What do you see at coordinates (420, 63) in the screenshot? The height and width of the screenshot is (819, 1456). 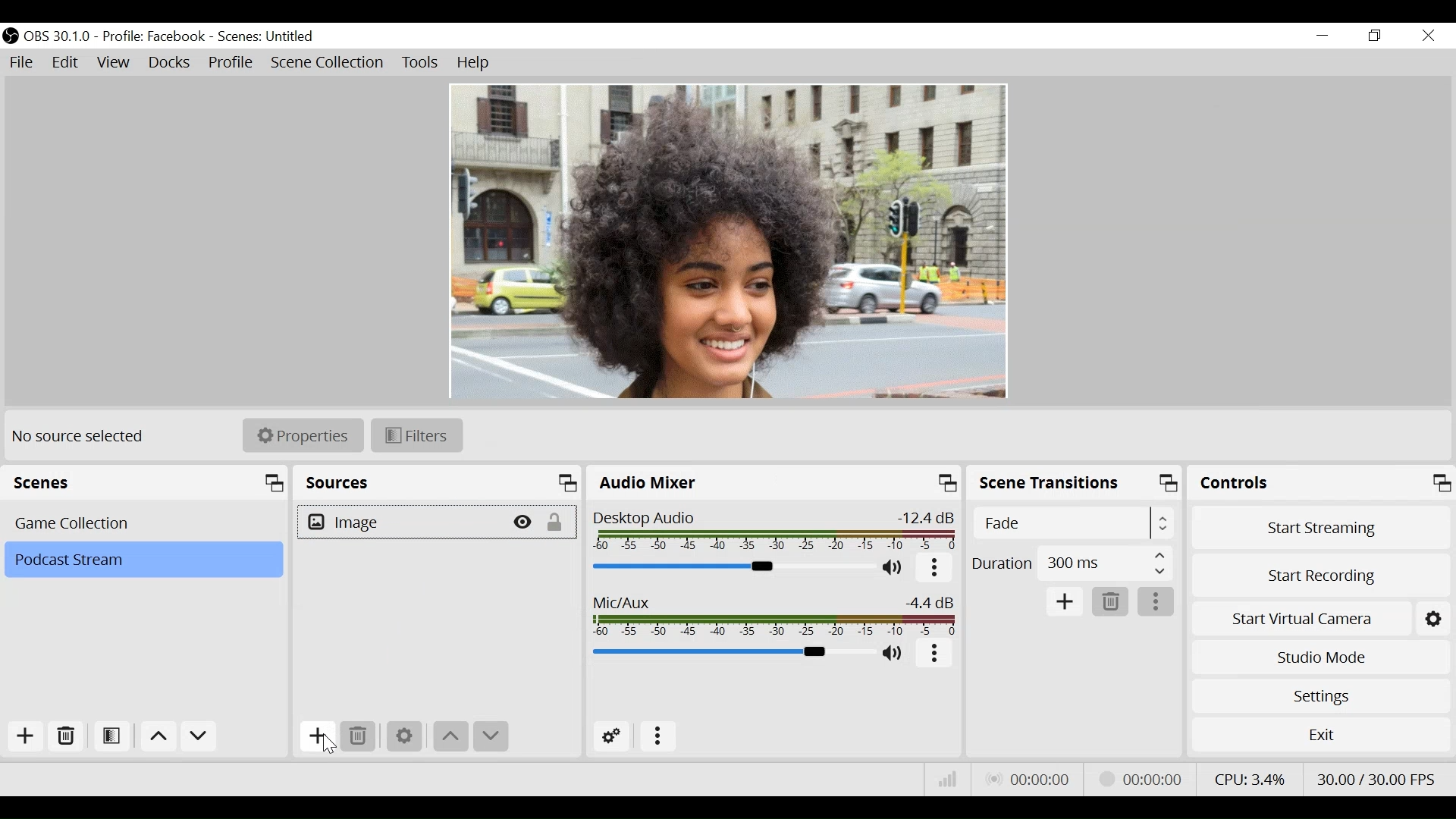 I see `Tools` at bounding box center [420, 63].